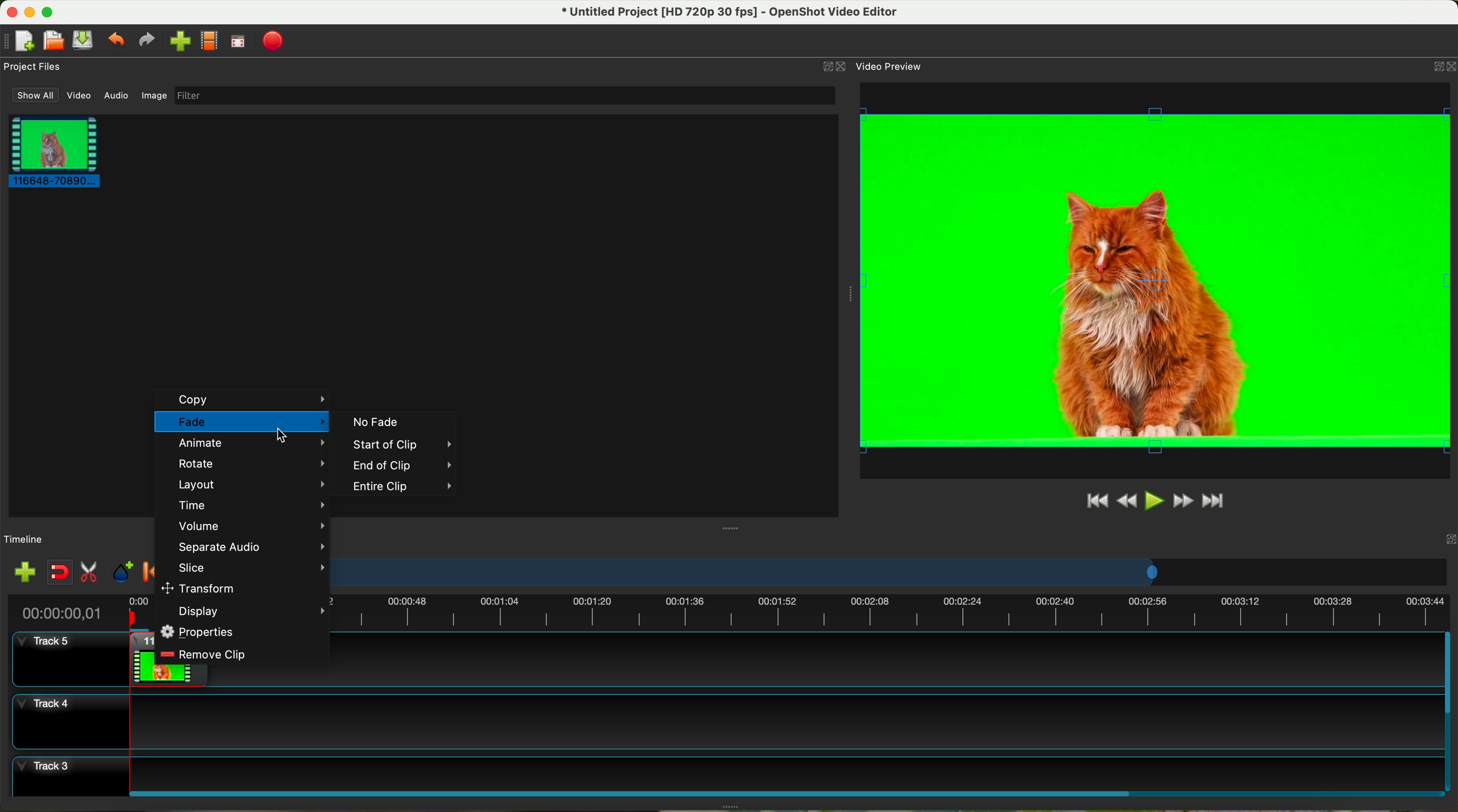 The width and height of the screenshot is (1458, 812). Describe the element at coordinates (117, 96) in the screenshot. I see `audio` at that location.